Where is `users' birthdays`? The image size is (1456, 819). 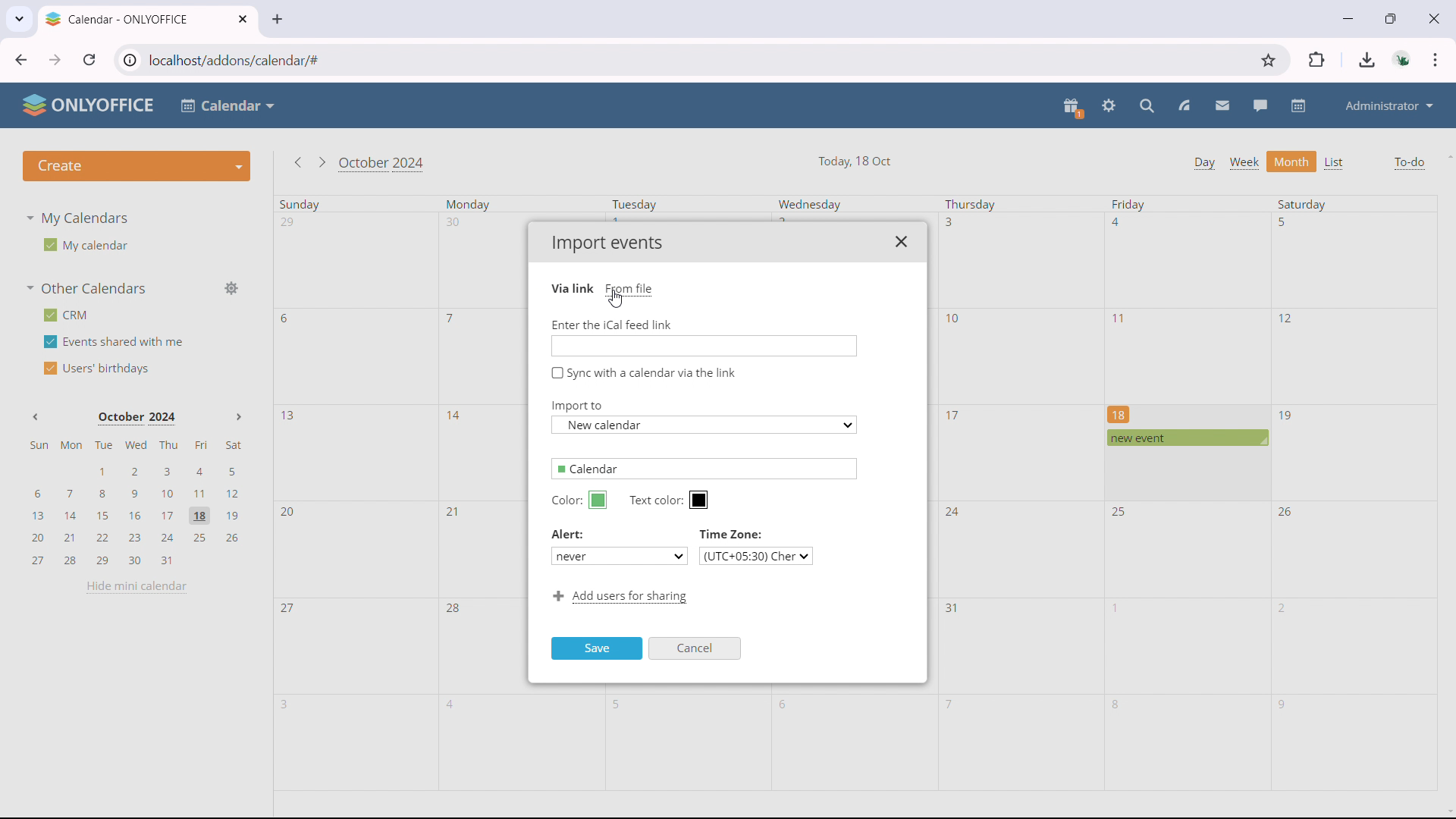 users' birthdays is located at coordinates (98, 369).